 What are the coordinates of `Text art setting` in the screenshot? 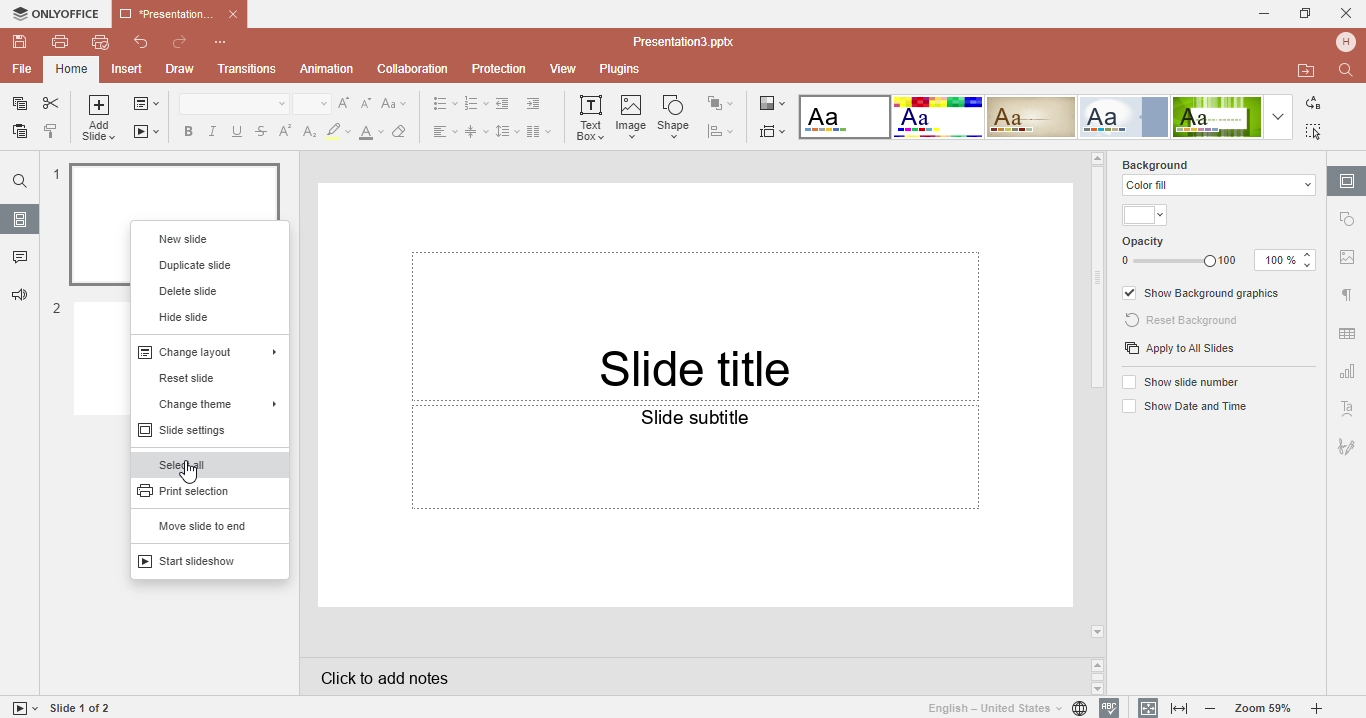 It's located at (1347, 408).